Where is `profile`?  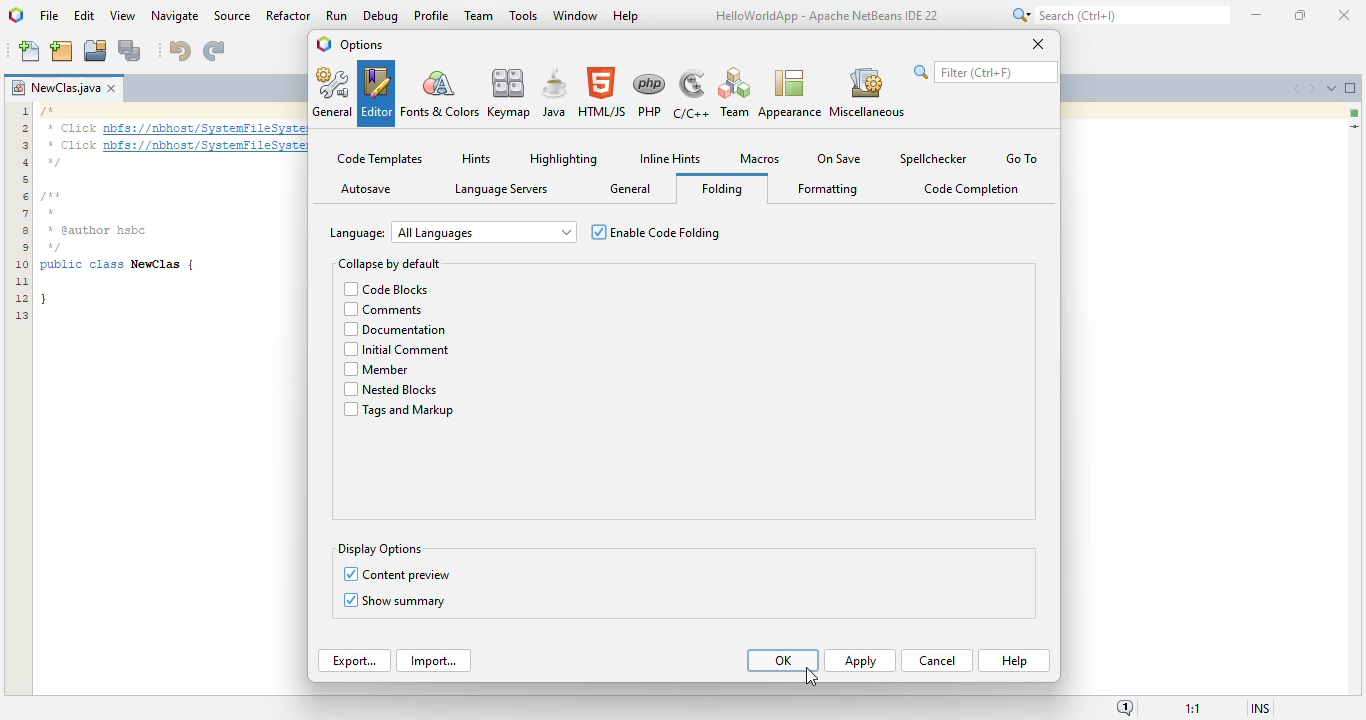 profile is located at coordinates (432, 15).